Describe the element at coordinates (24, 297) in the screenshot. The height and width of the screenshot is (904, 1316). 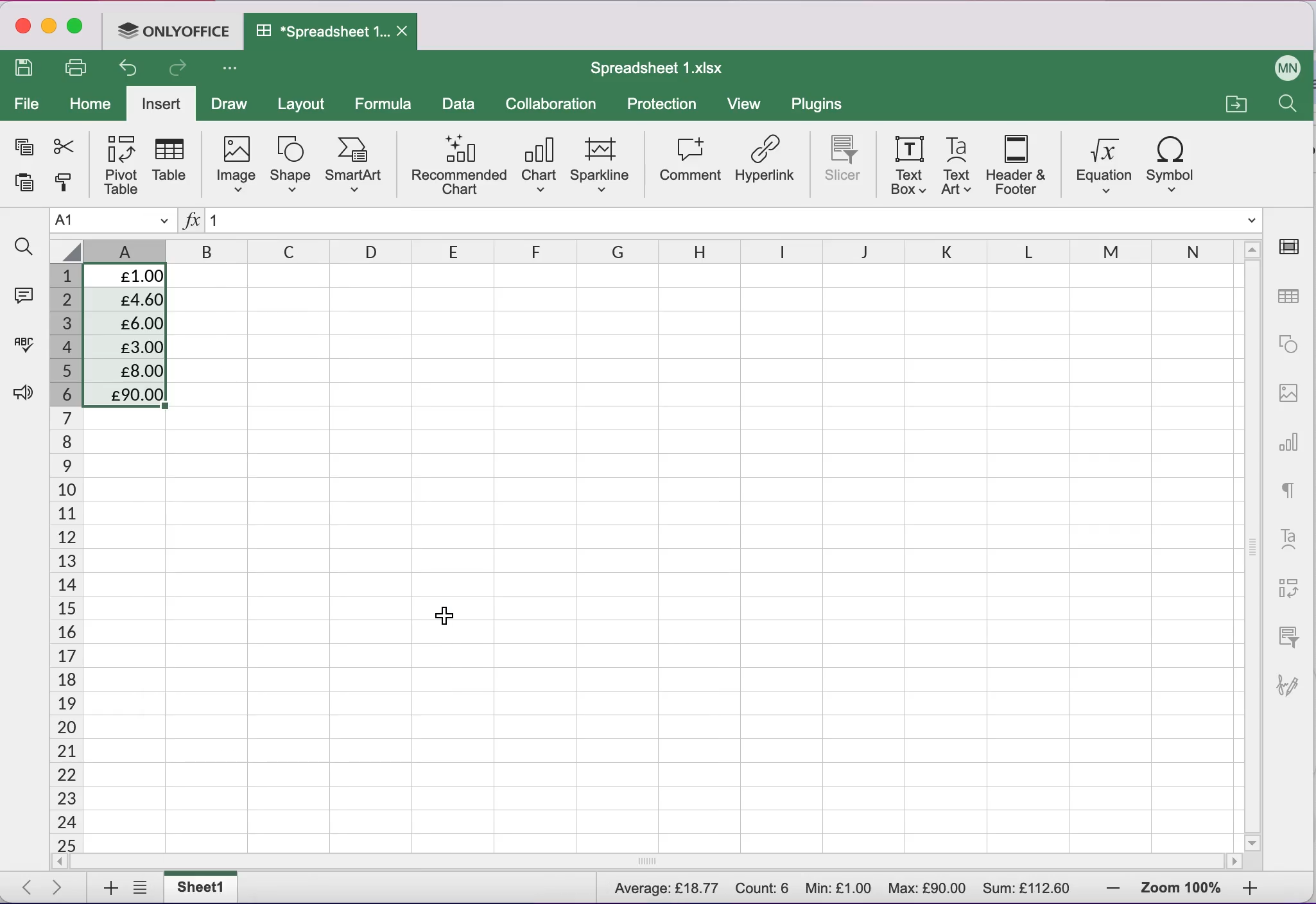
I see `comments` at that location.